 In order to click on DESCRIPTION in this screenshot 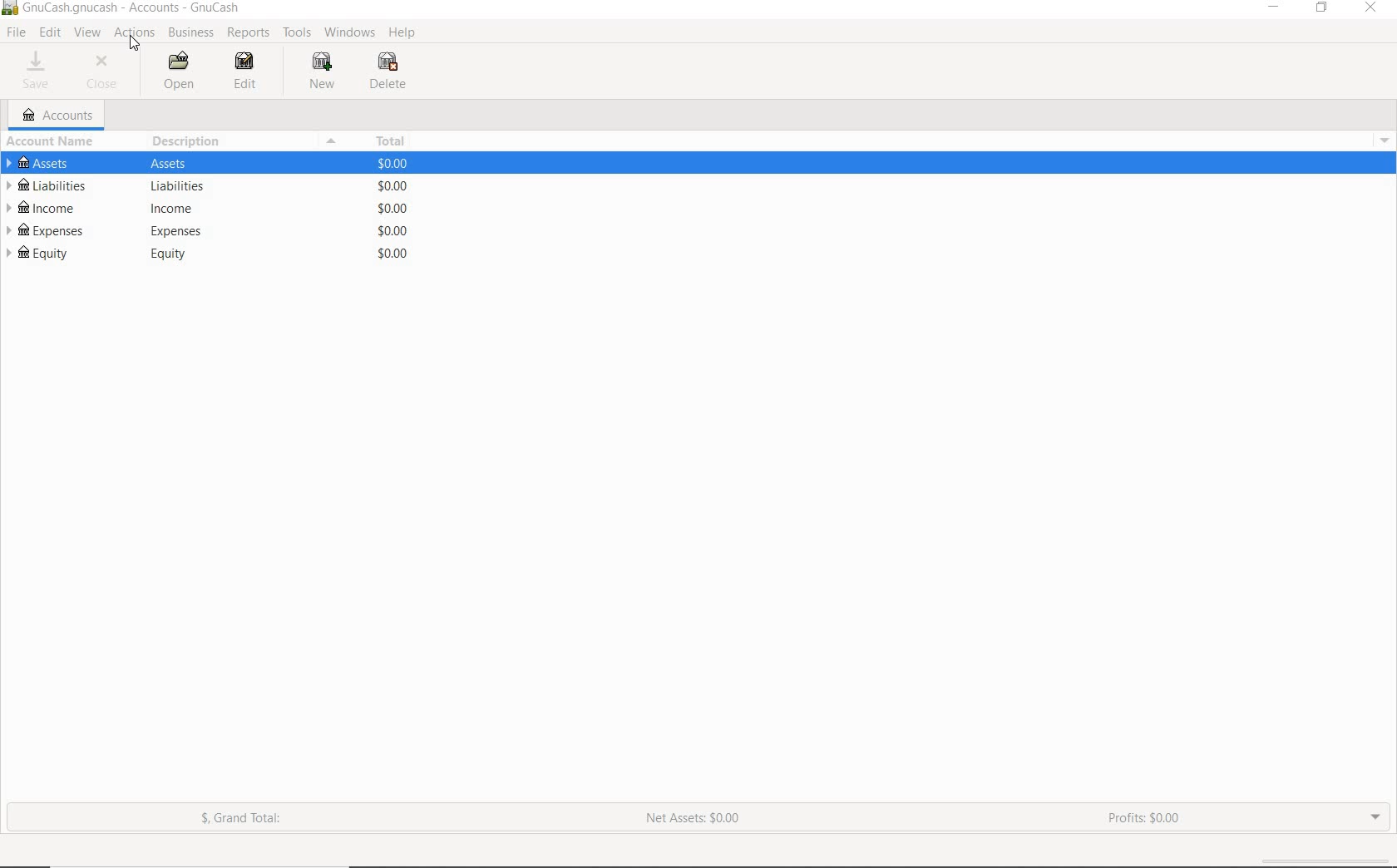, I will do `click(190, 141)`.